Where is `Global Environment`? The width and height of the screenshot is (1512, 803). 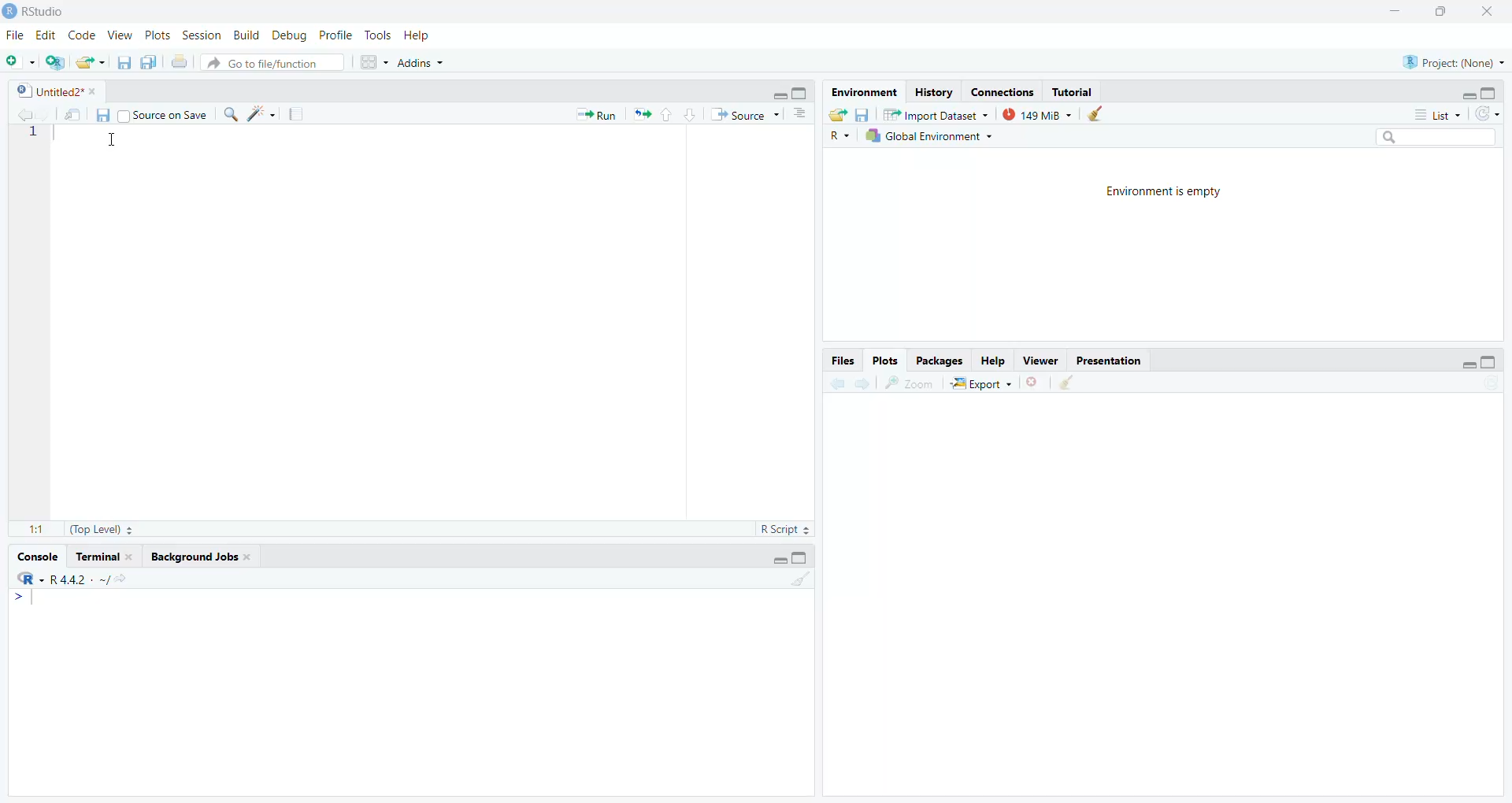 Global Environment is located at coordinates (928, 139).